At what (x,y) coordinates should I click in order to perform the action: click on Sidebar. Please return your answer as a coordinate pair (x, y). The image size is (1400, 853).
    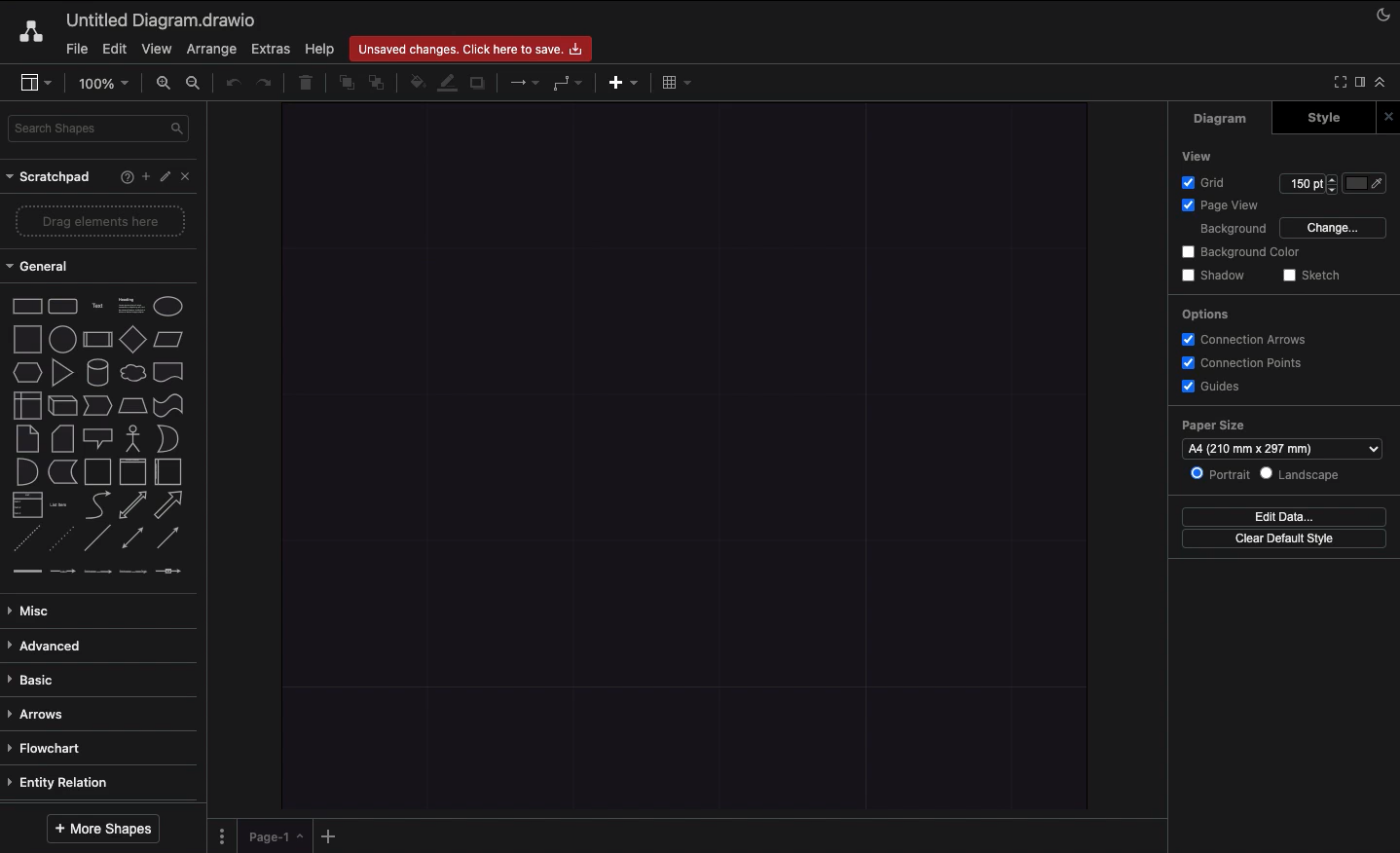
    Looking at the image, I should click on (38, 83).